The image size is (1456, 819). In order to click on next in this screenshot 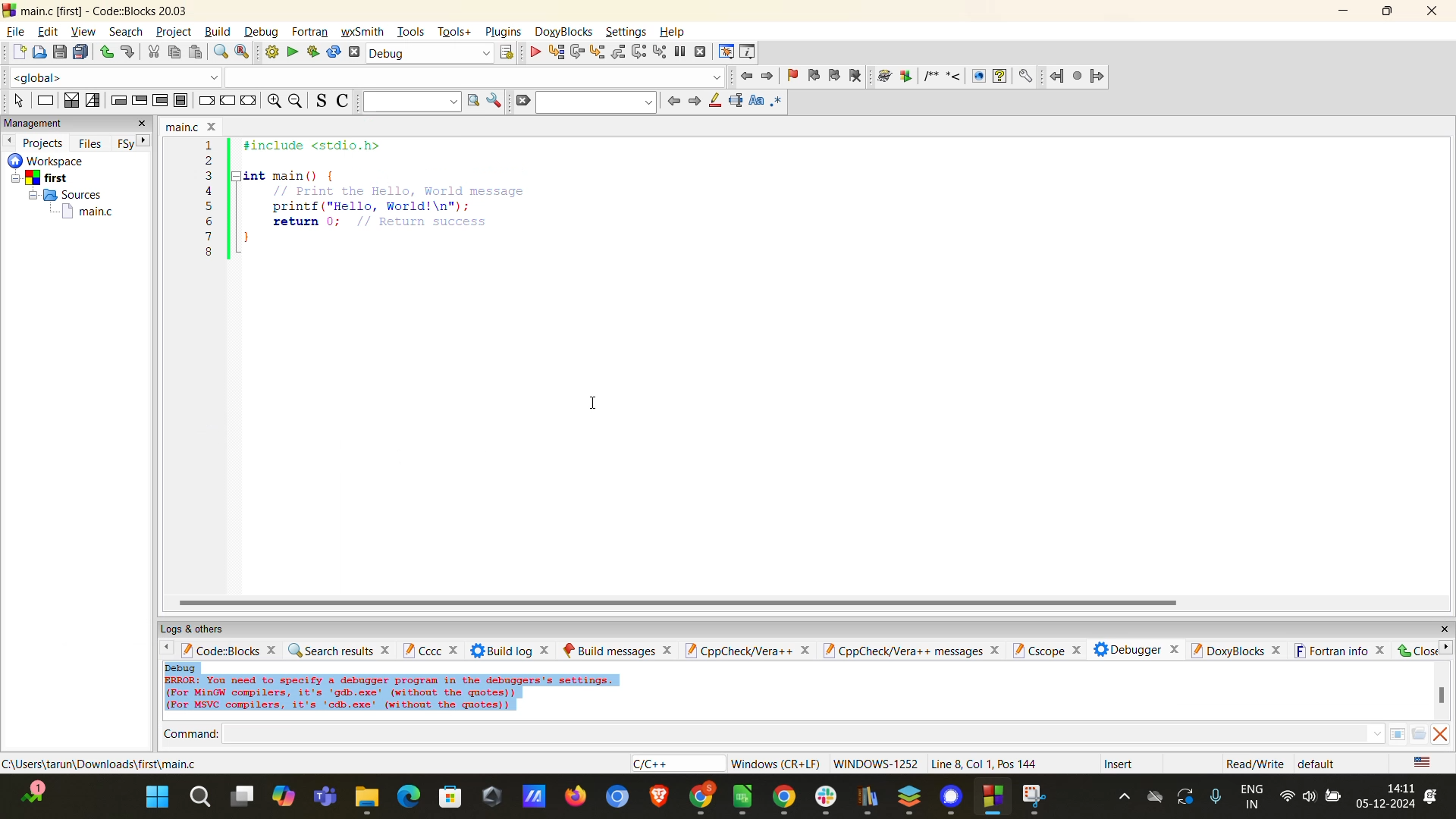, I will do `click(1447, 648)`.